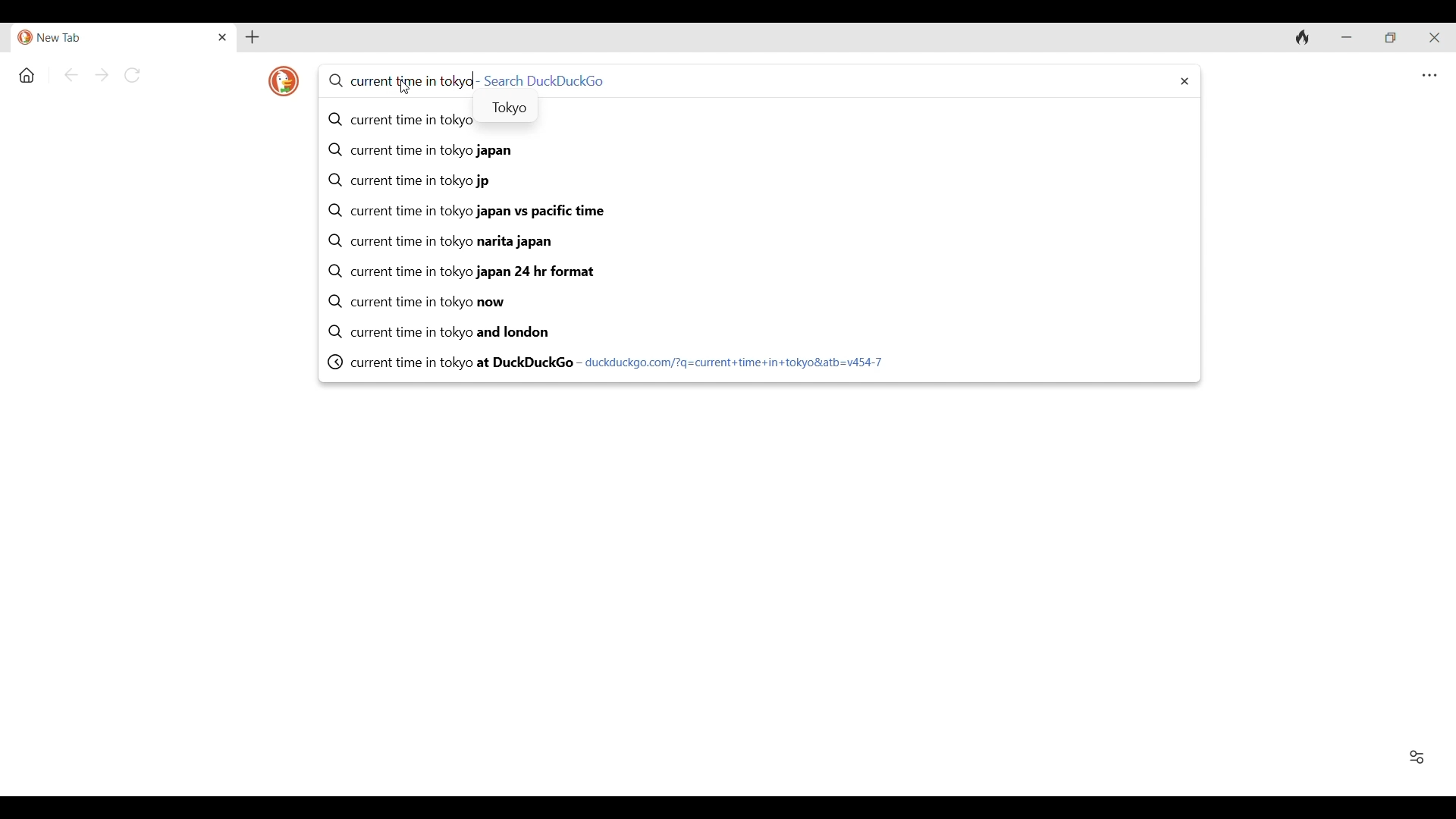 The height and width of the screenshot is (819, 1456). Describe the element at coordinates (440, 332) in the screenshot. I see `current time in tokyo and london` at that location.